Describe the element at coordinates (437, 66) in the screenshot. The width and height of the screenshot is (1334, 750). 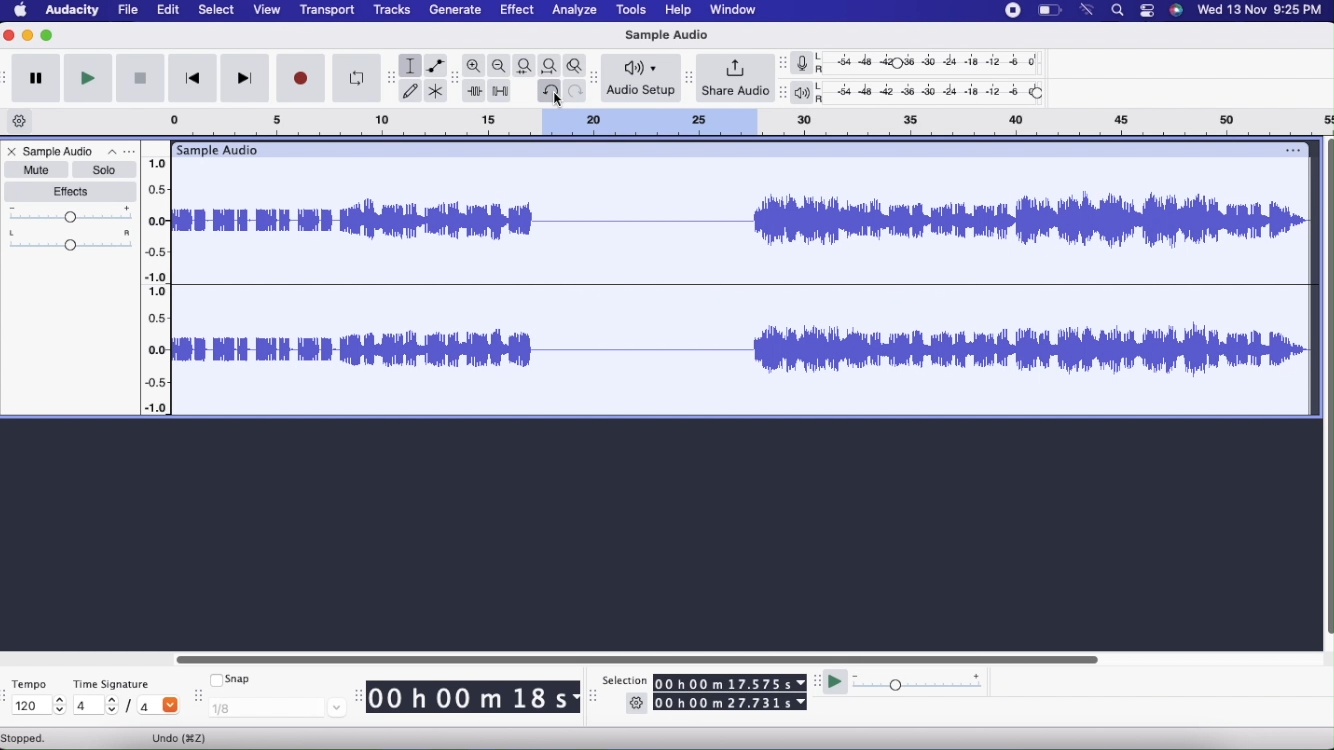
I see `Envelope tool` at that location.